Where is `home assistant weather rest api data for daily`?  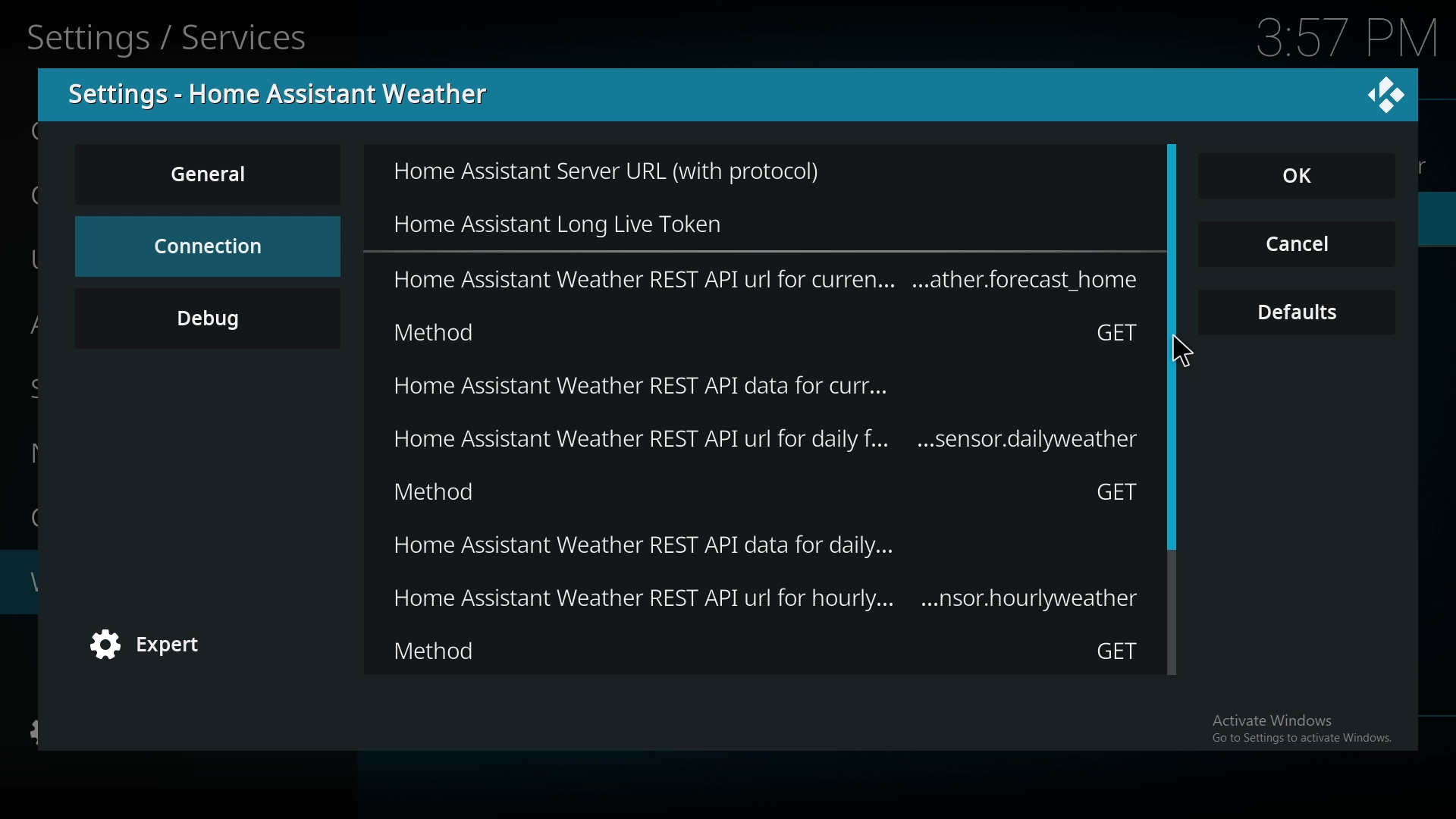 home assistant weather rest api data for daily is located at coordinates (767, 547).